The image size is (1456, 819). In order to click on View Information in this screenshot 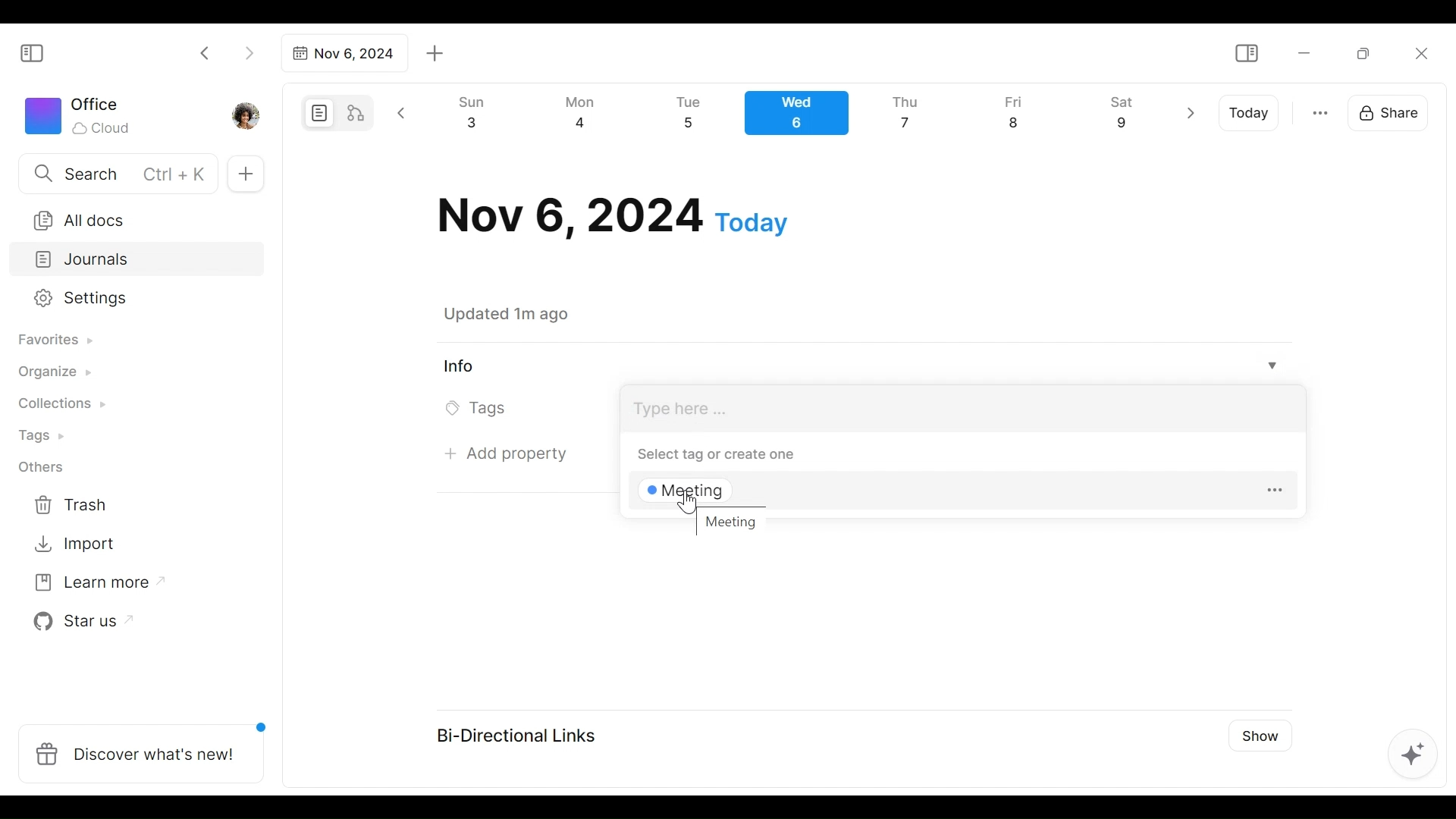, I will do `click(858, 366)`.